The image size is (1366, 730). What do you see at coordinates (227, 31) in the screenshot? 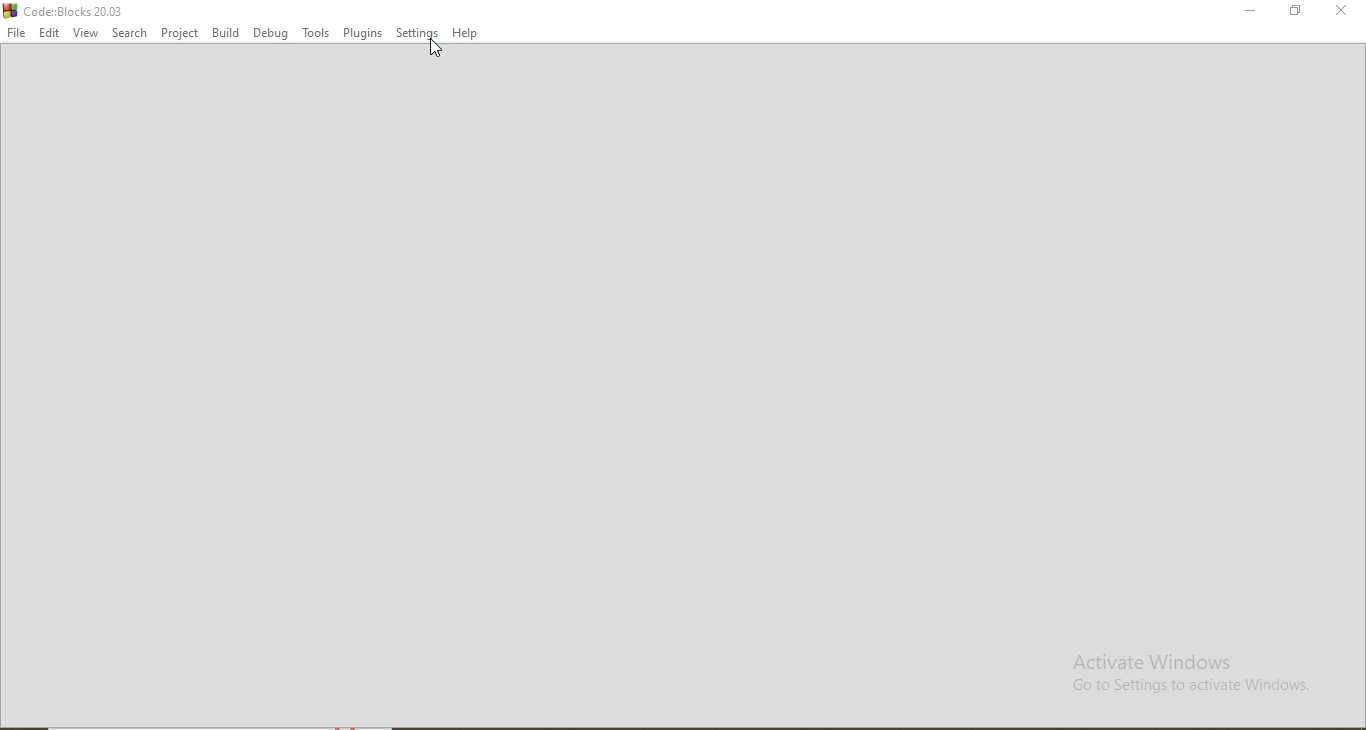
I see `Build ` at bounding box center [227, 31].